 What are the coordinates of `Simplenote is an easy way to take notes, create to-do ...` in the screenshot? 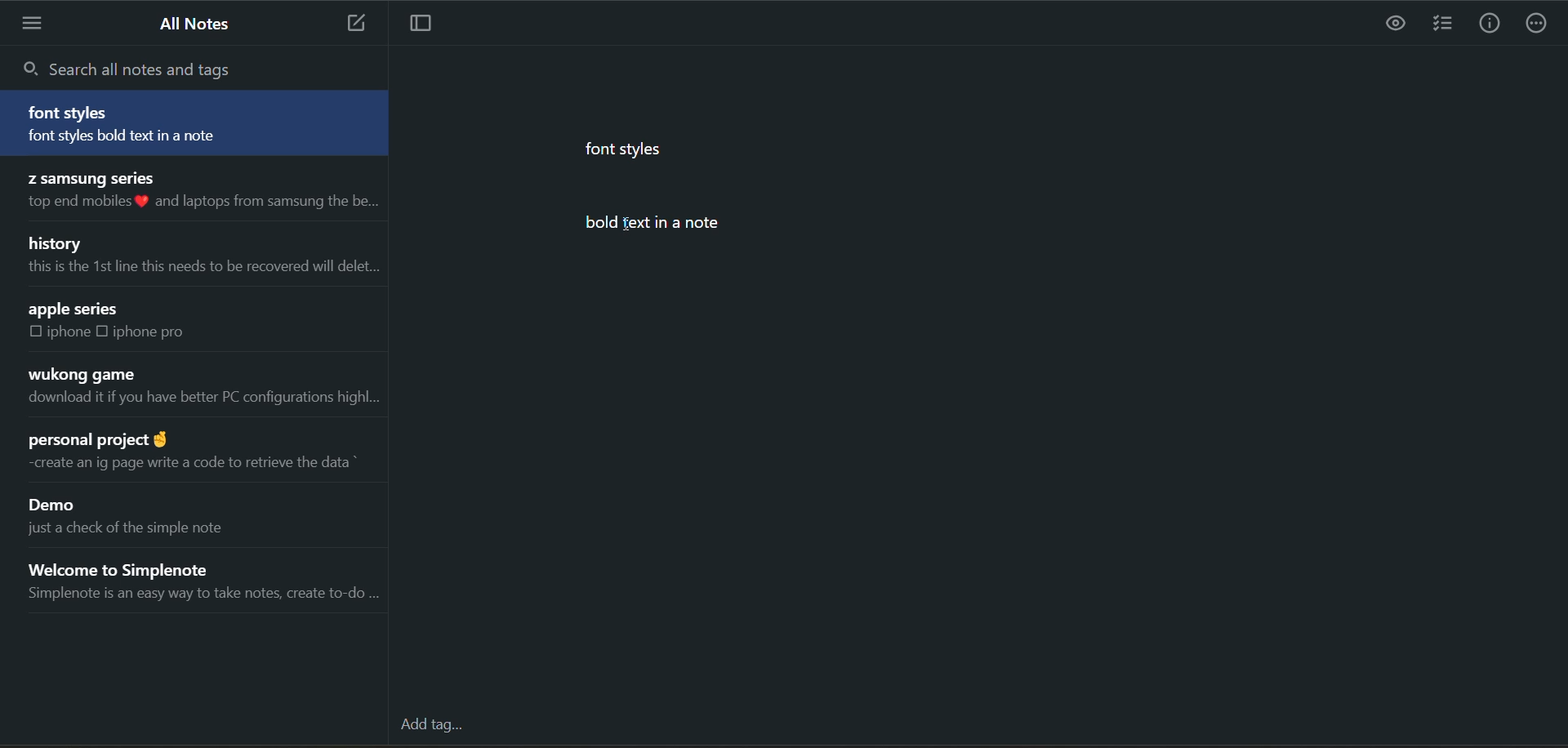 It's located at (202, 597).